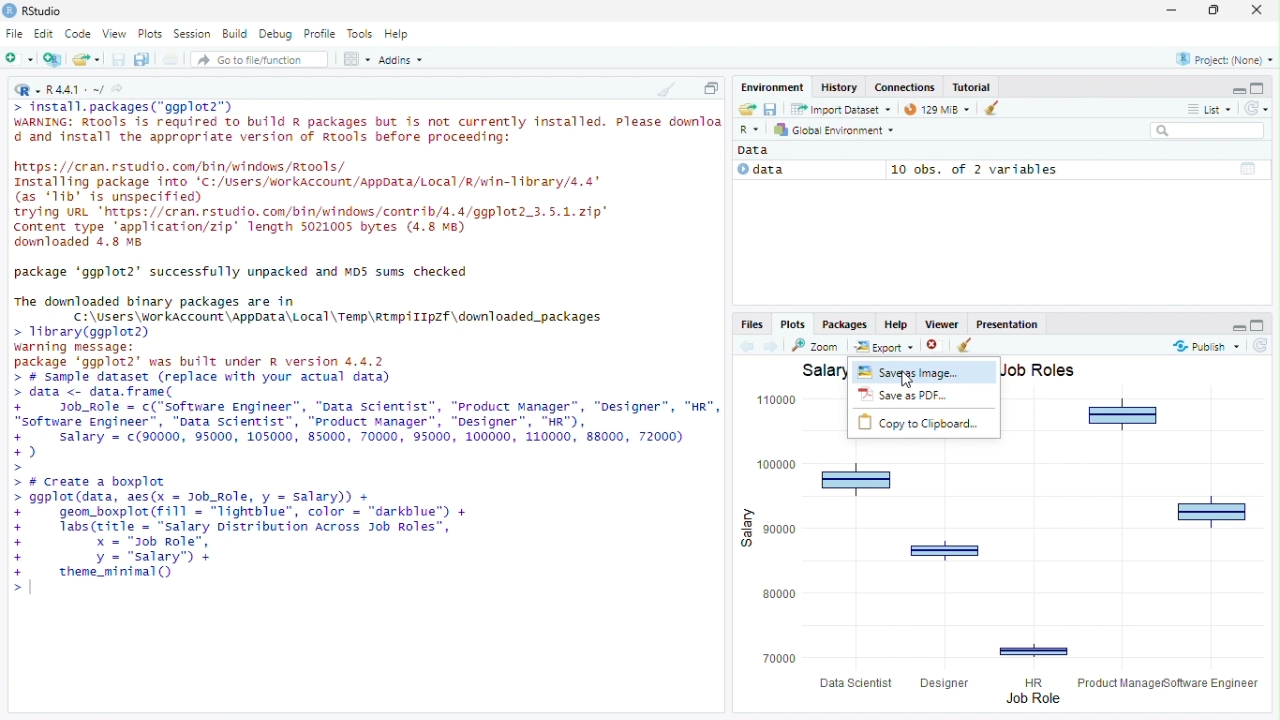 The image size is (1280, 720). What do you see at coordinates (1262, 345) in the screenshot?
I see `refresh current plot` at bounding box center [1262, 345].